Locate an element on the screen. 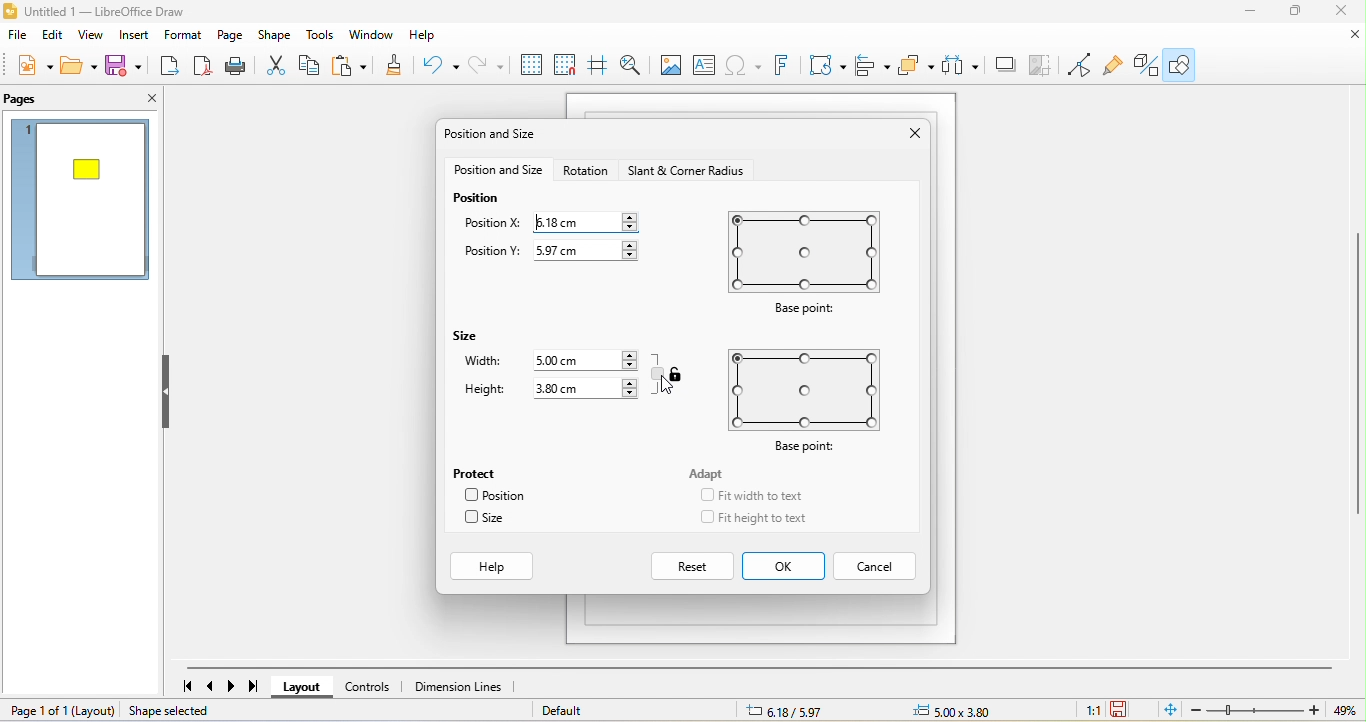 This screenshot has width=1366, height=722. 8.29/7.64 is located at coordinates (816, 710).